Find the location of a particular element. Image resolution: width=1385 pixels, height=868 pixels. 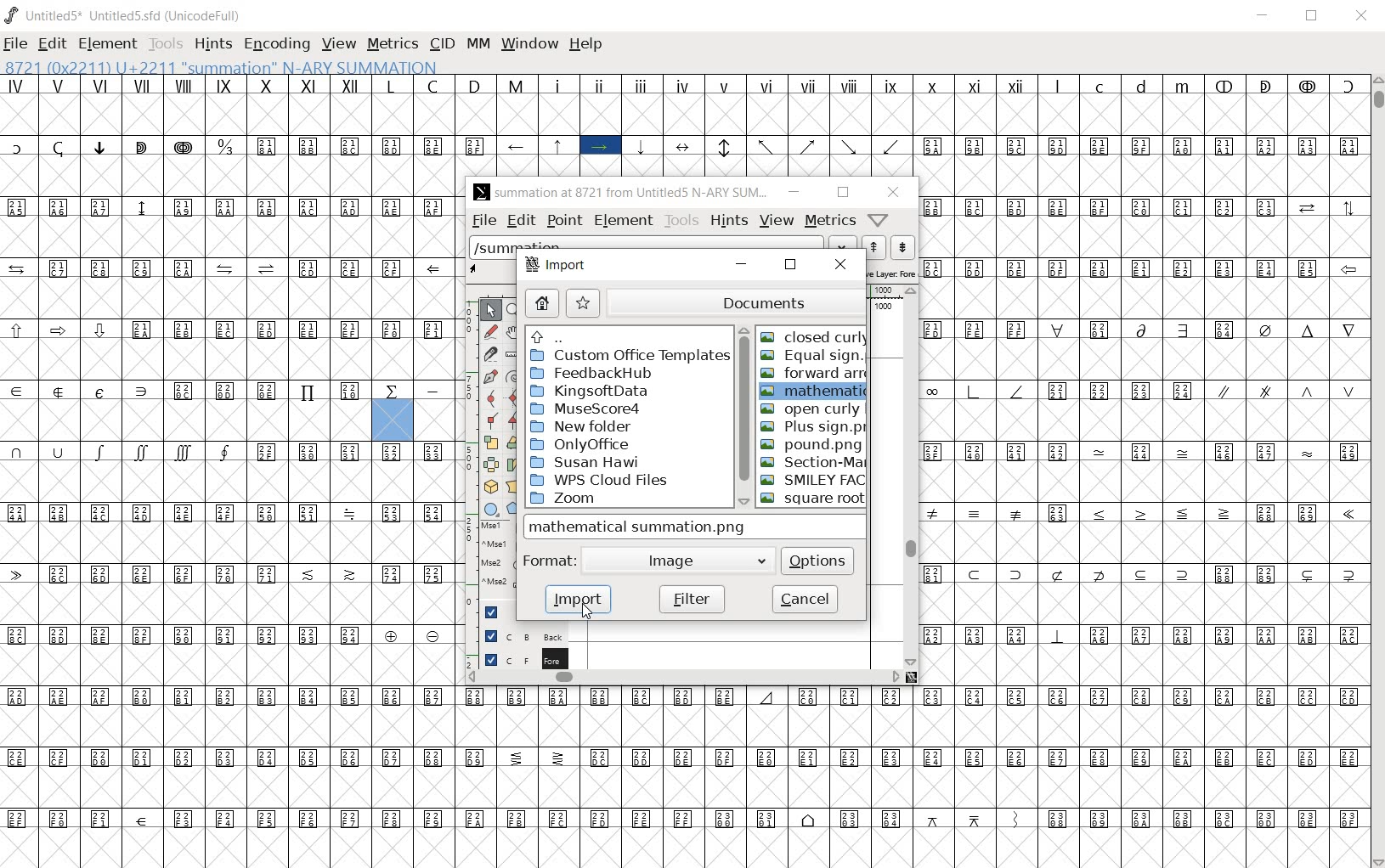

restore is located at coordinates (790, 267).